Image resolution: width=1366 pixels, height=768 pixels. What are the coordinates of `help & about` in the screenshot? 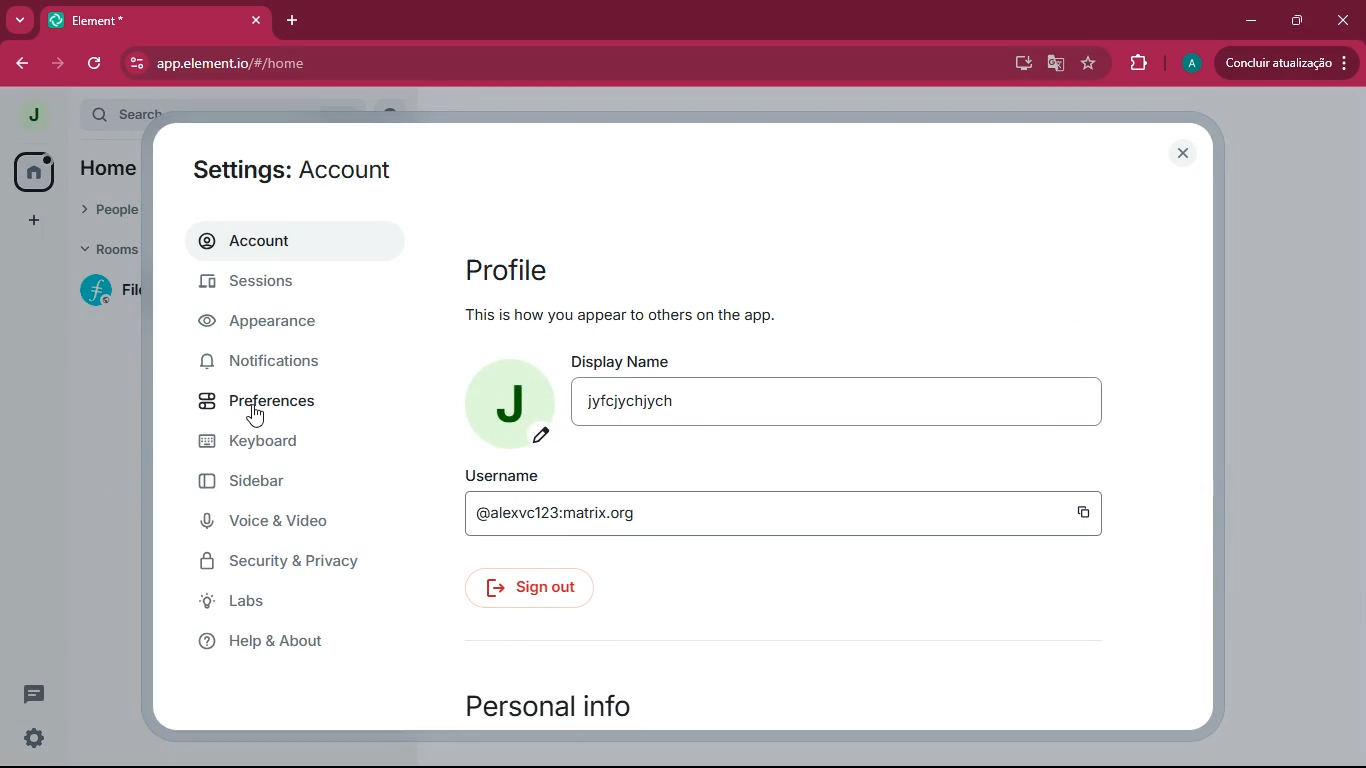 It's located at (273, 643).